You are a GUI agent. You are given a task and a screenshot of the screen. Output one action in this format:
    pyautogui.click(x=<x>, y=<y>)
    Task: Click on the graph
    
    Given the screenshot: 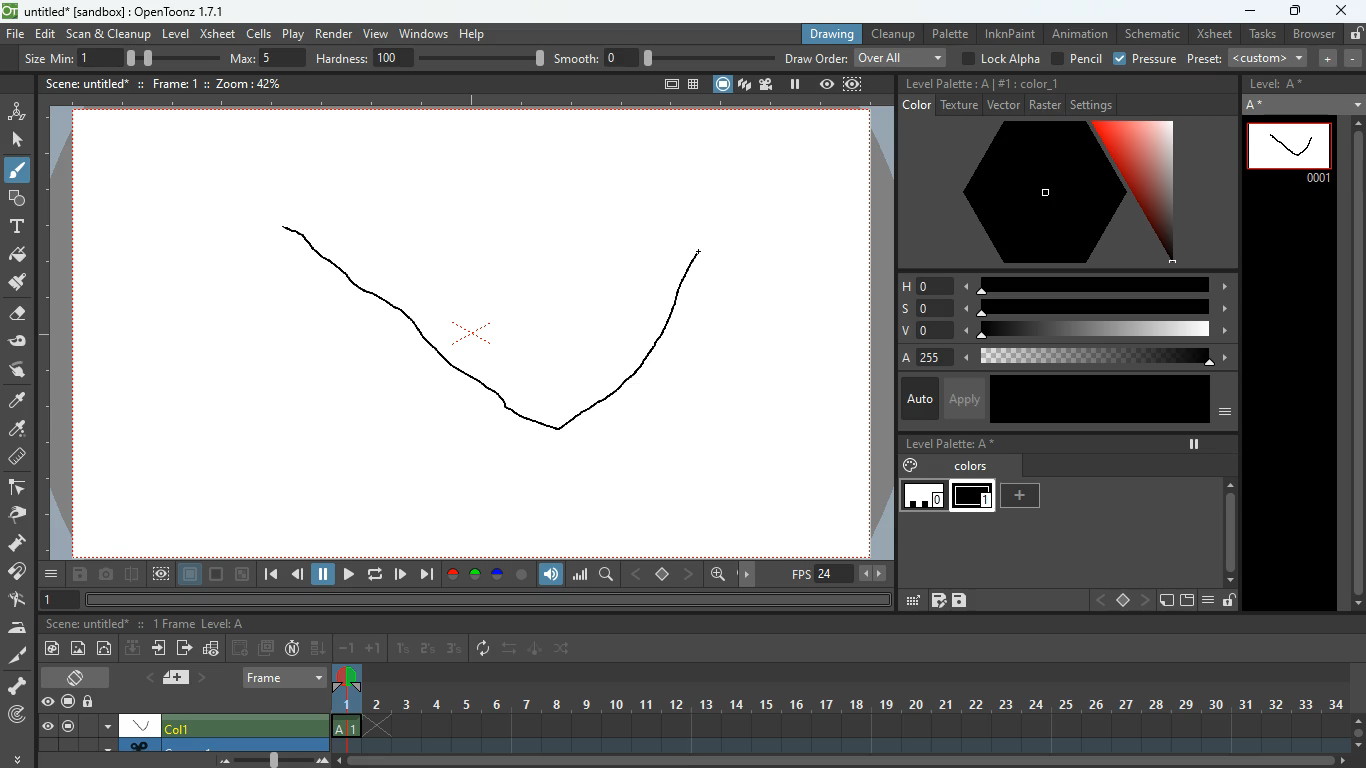 What is the action you would take?
    pyautogui.click(x=580, y=574)
    